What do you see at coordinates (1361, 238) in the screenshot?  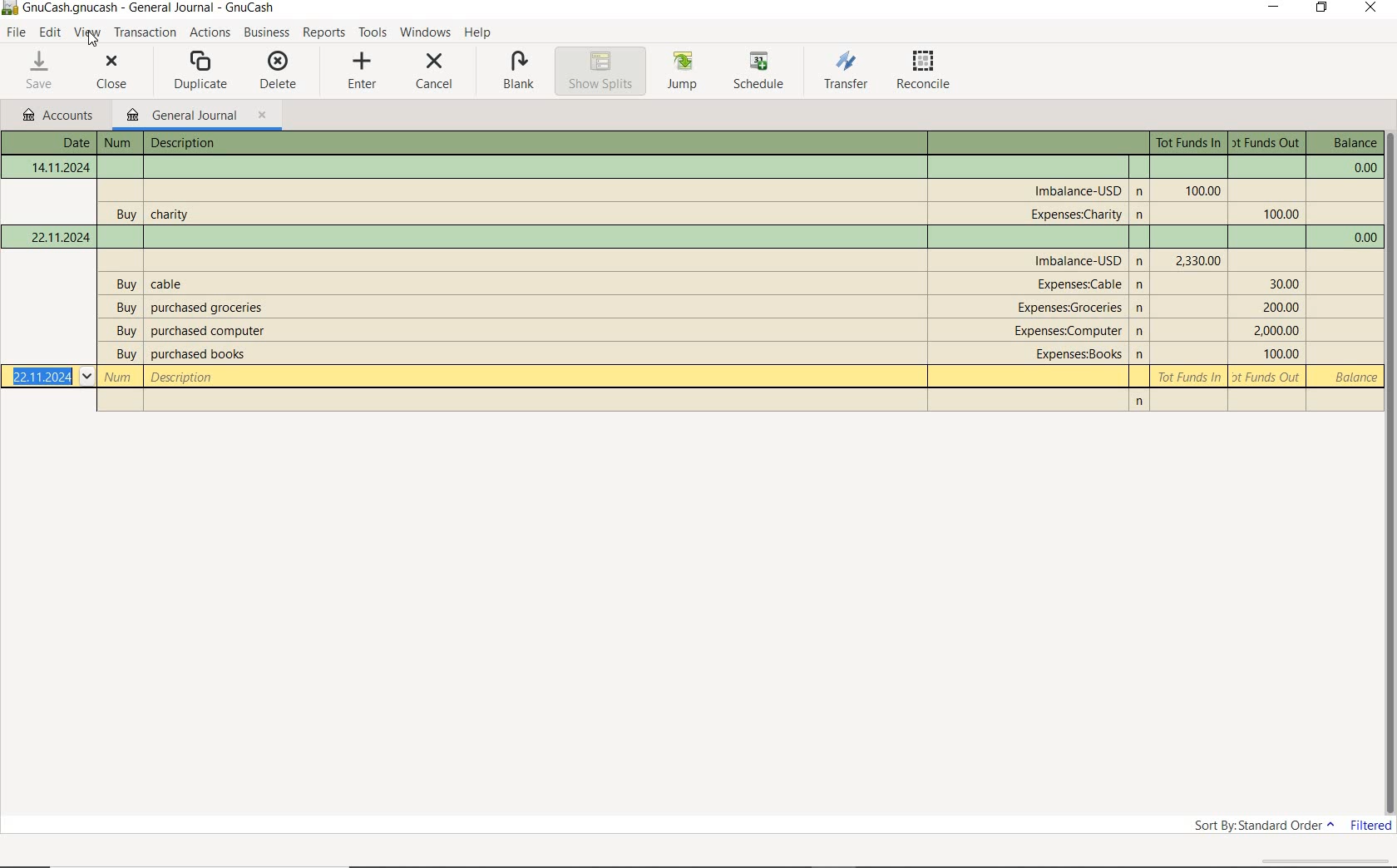 I see `balance` at bounding box center [1361, 238].